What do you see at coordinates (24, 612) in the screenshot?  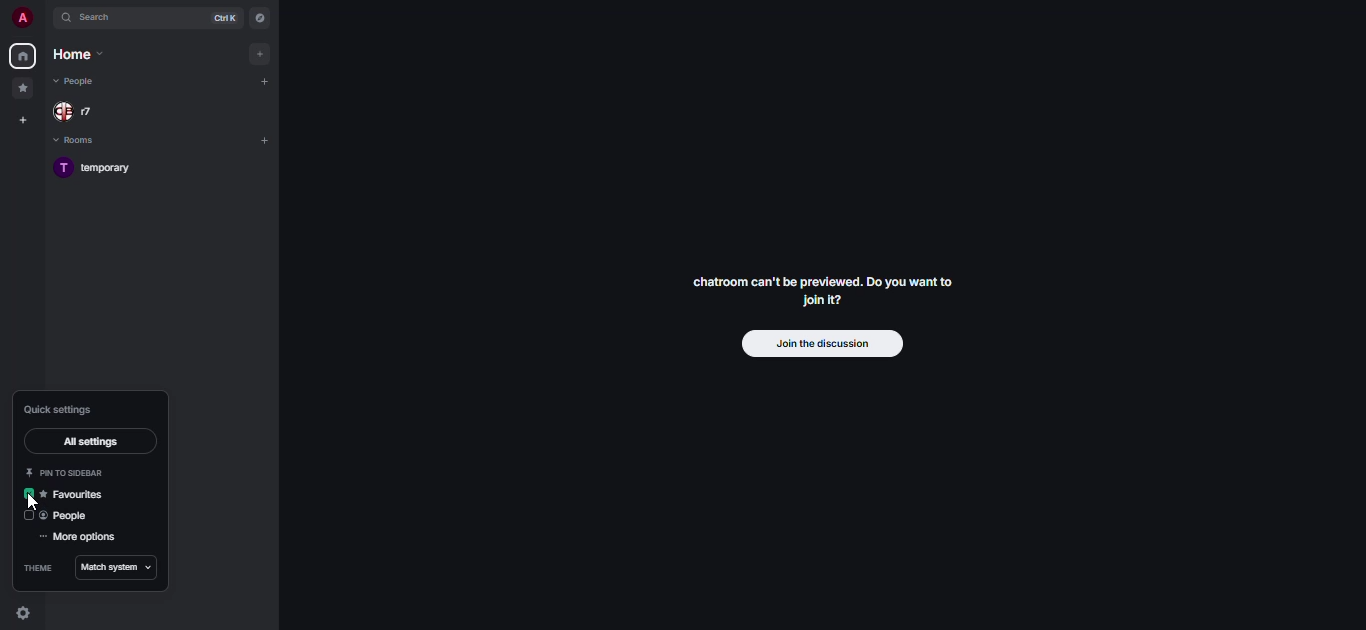 I see `quick settings` at bounding box center [24, 612].